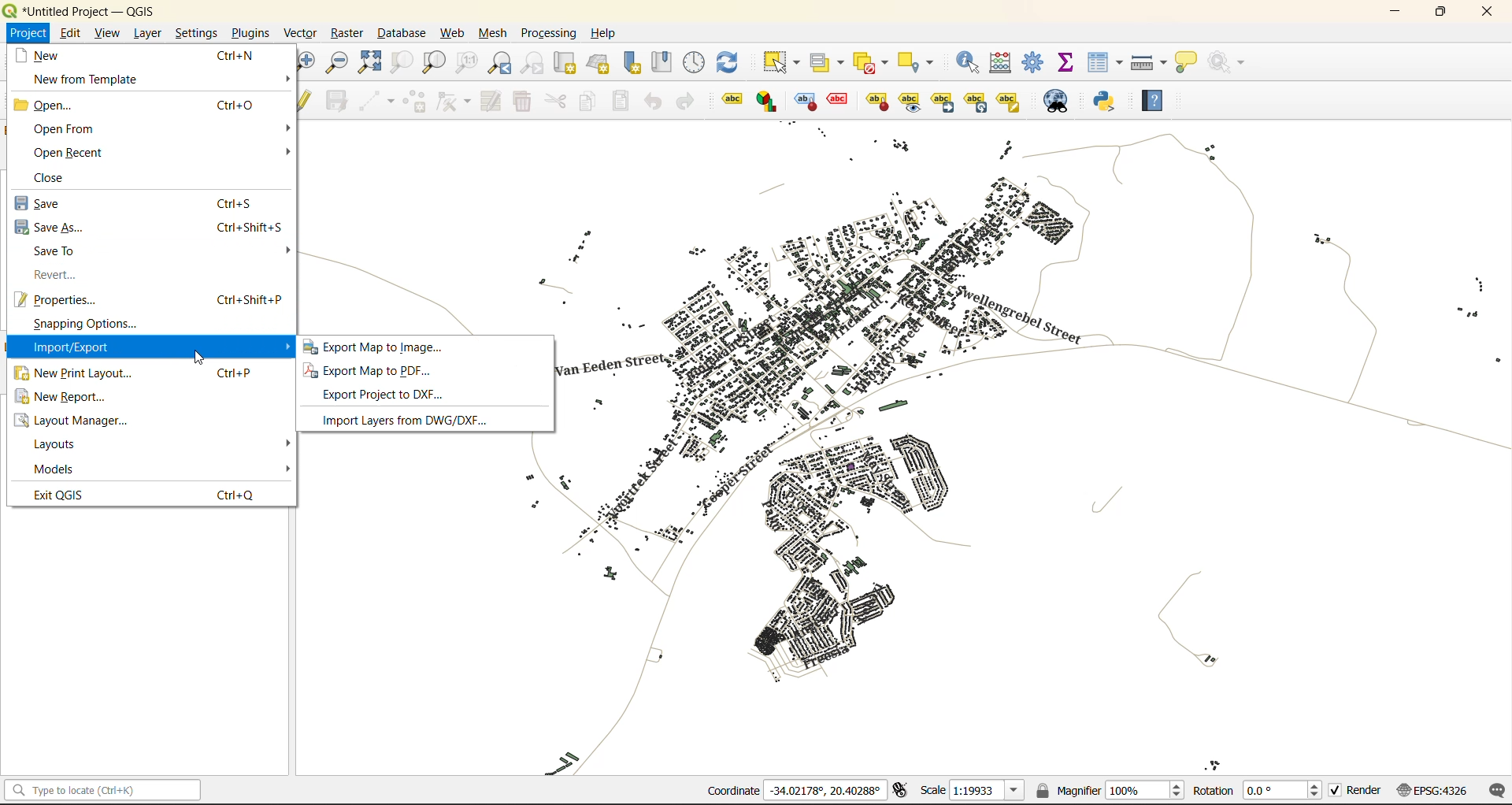  Describe the element at coordinates (1058, 101) in the screenshot. I see `metasearch` at that location.